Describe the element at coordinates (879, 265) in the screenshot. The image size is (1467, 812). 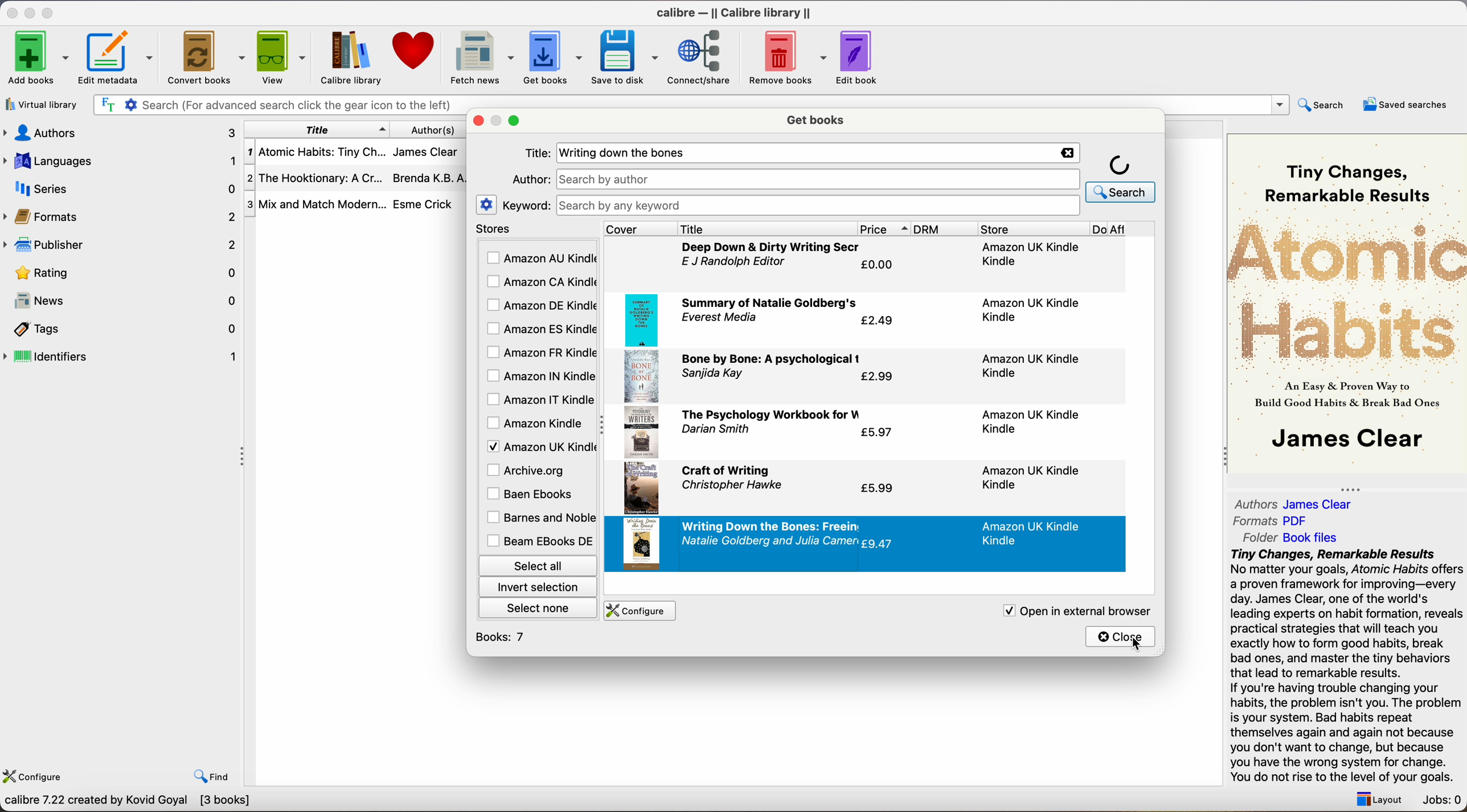
I see `€0.00` at that location.